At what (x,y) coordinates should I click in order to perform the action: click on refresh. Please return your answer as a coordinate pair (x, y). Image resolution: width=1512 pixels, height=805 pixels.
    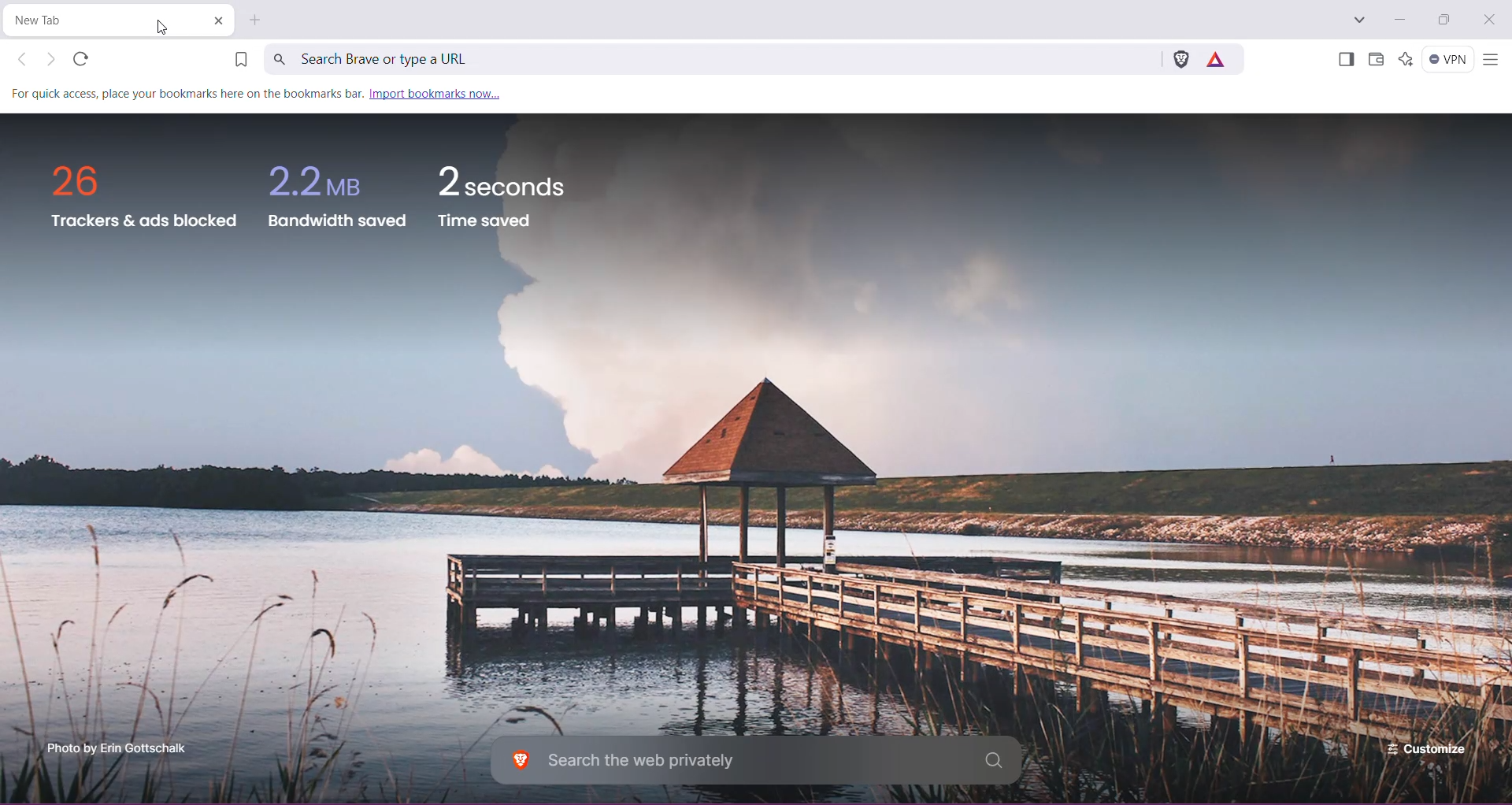
    Looking at the image, I should click on (87, 61).